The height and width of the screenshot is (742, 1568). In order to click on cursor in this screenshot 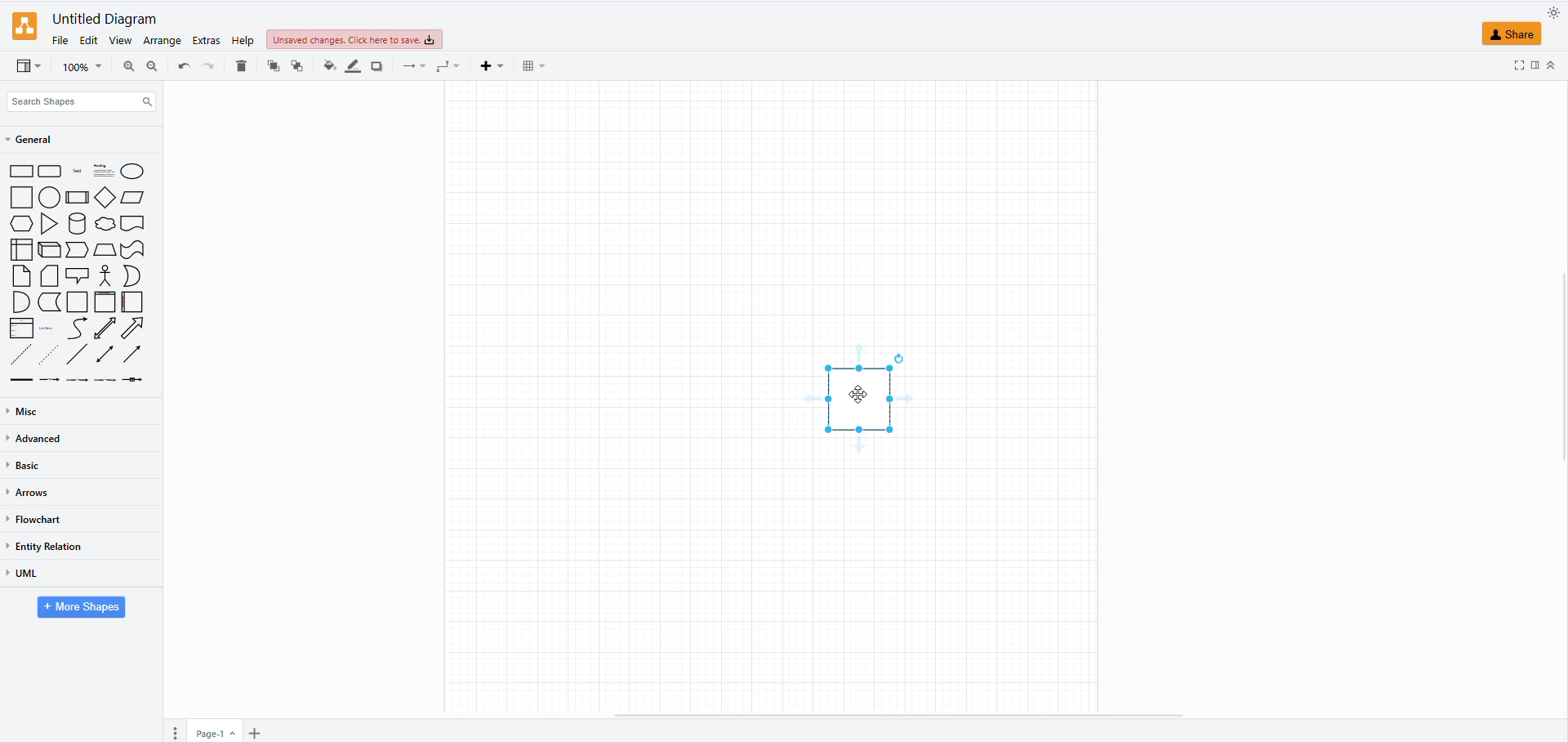, I will do `click(856, 402)`.